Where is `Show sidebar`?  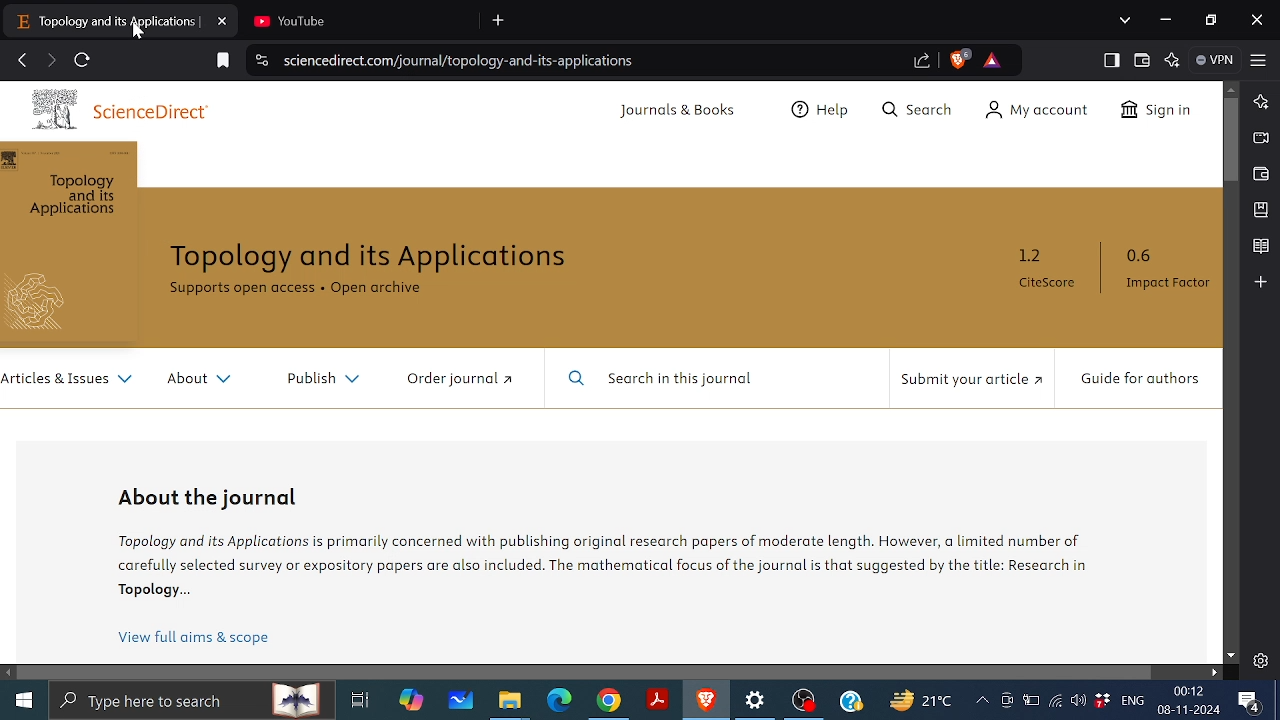 Show sidebar is located at coordinates (1112, 60).